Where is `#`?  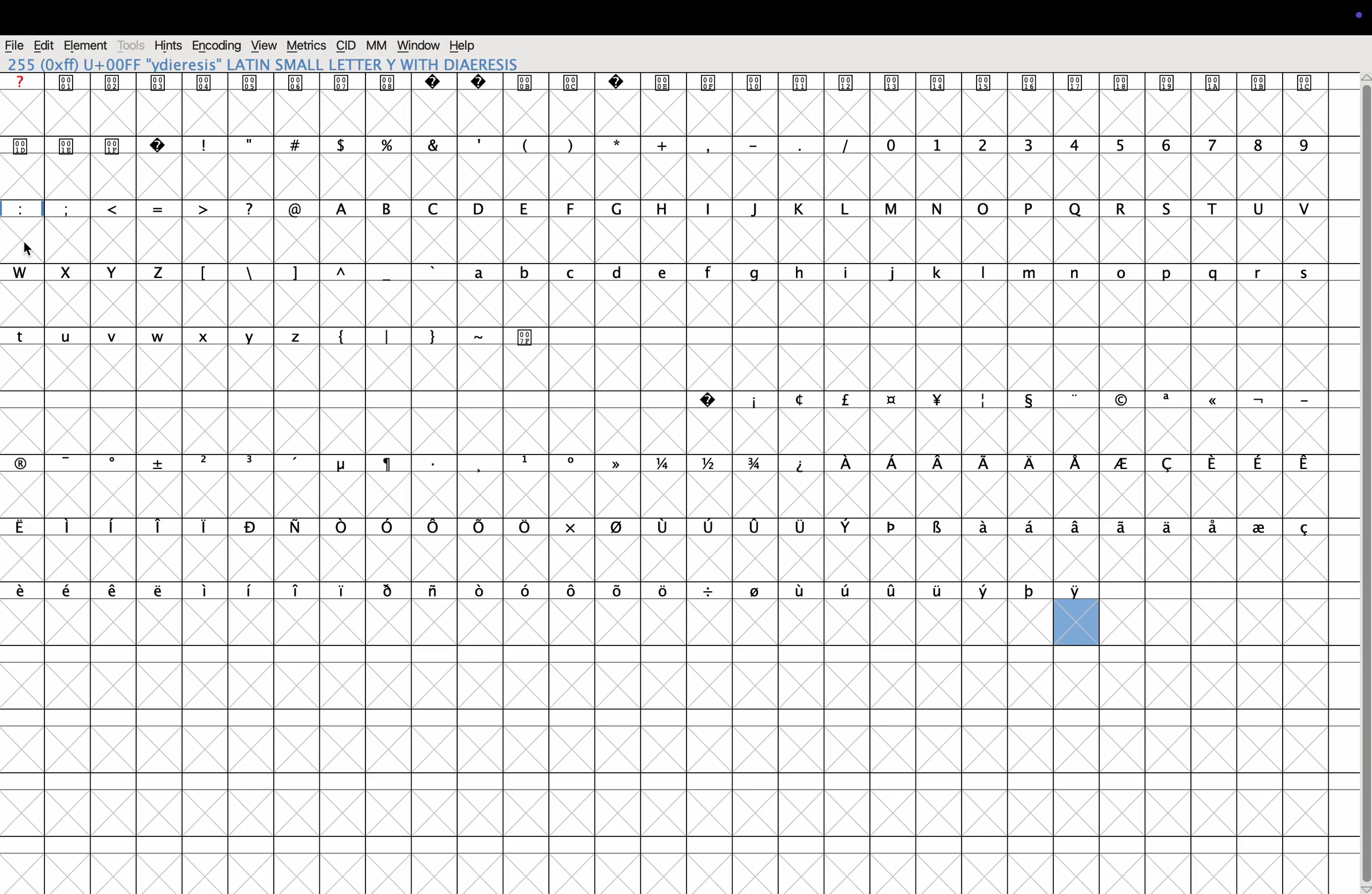 # is located at coordinates (297, 166).